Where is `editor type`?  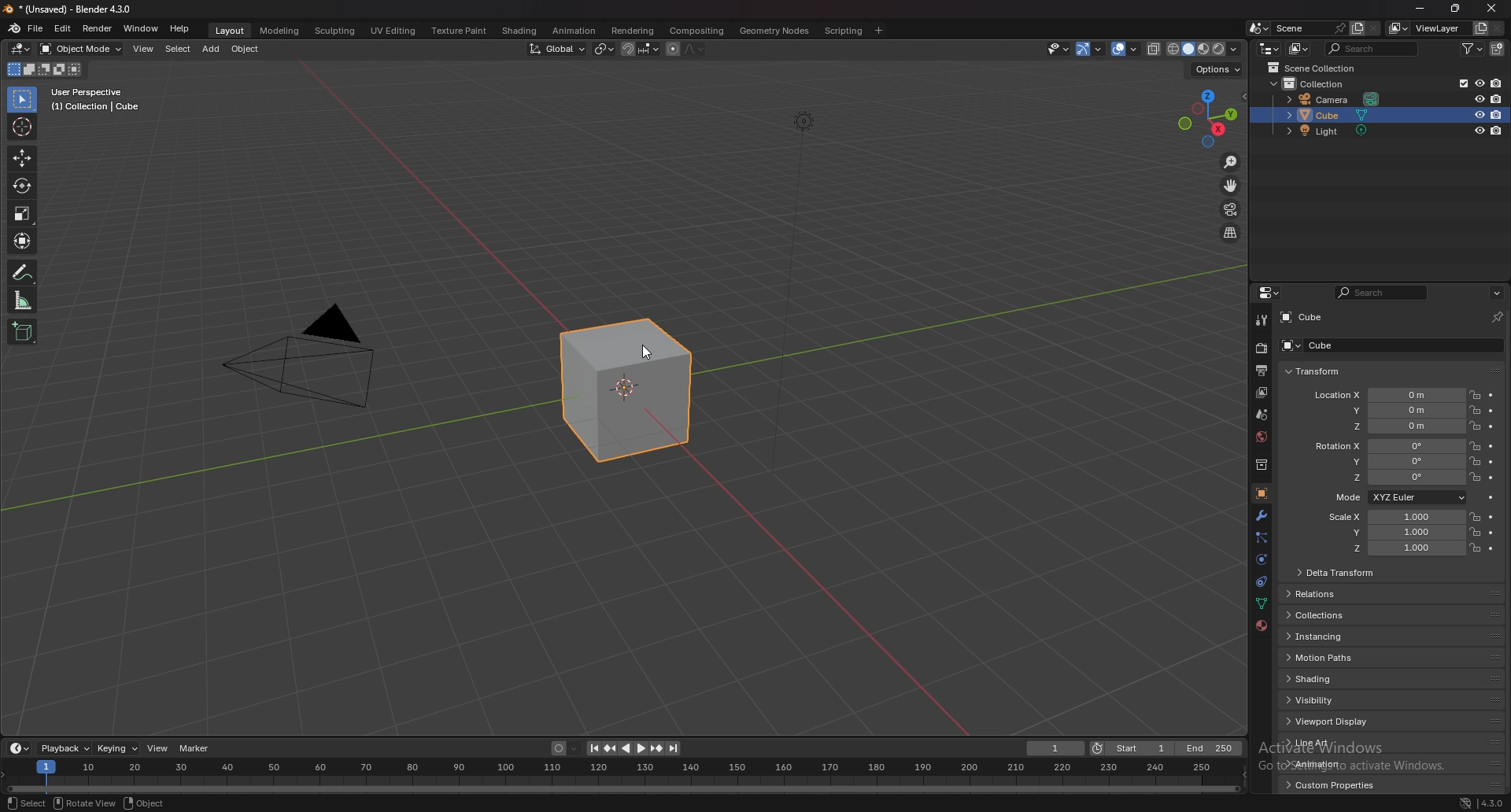 editor type is located at coordinates (21, 50).